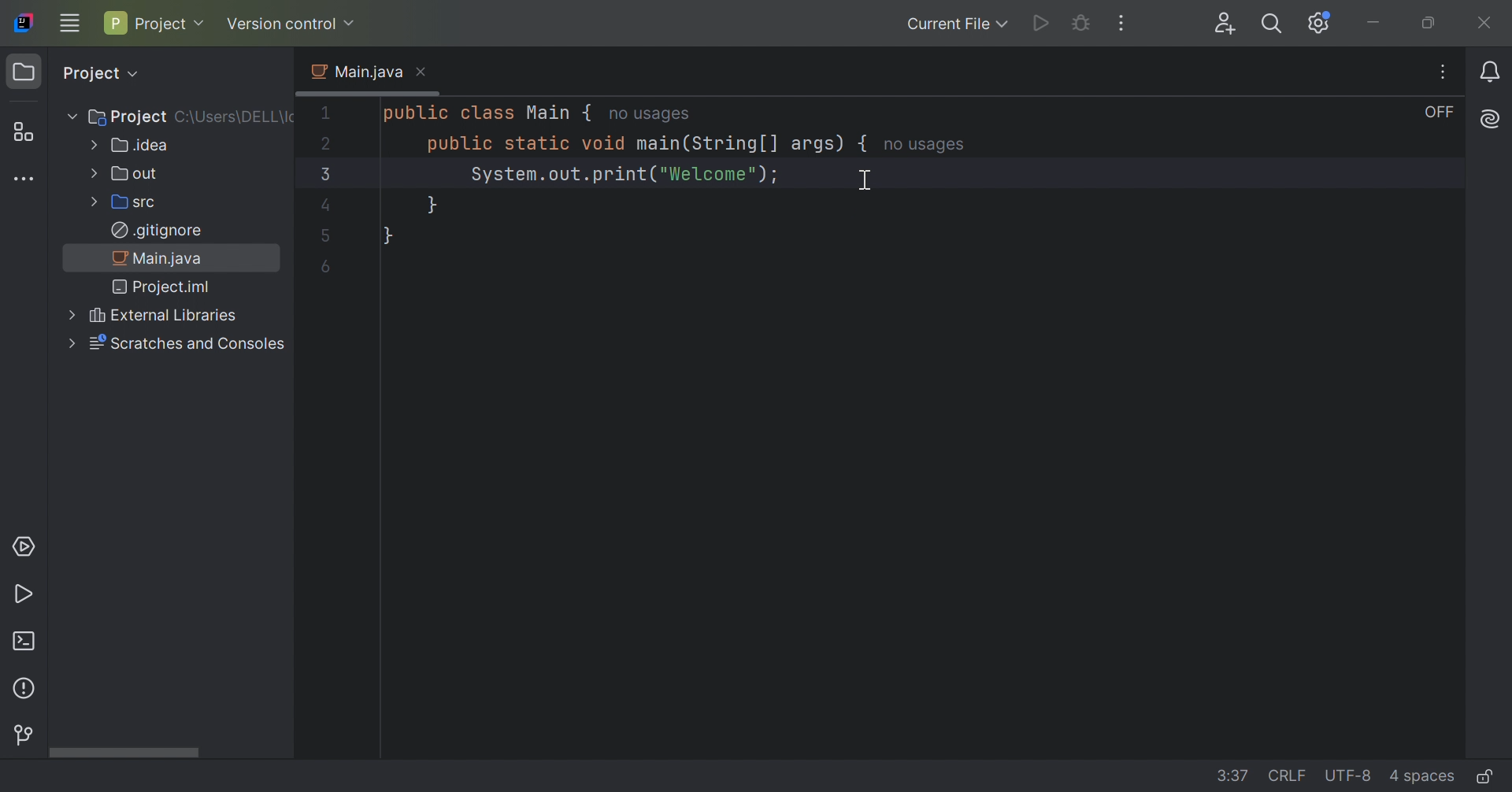 The image size is (1512, 792). What do you see at coordinates (147, 316) in the screenshot?
I see `External Libraries` at bounding box center [147, 316].